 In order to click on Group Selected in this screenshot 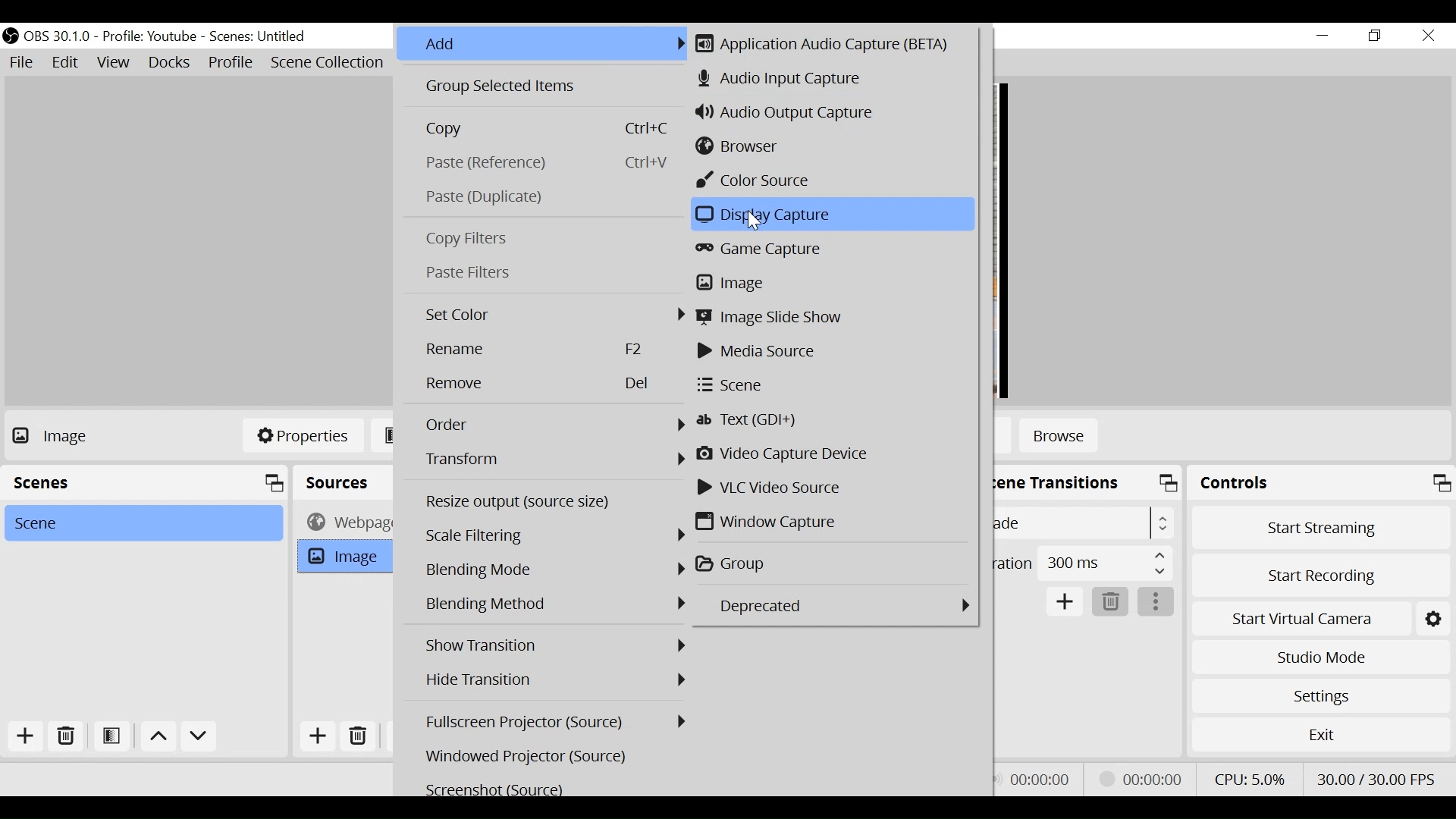, I will do `click(543, 88)`.